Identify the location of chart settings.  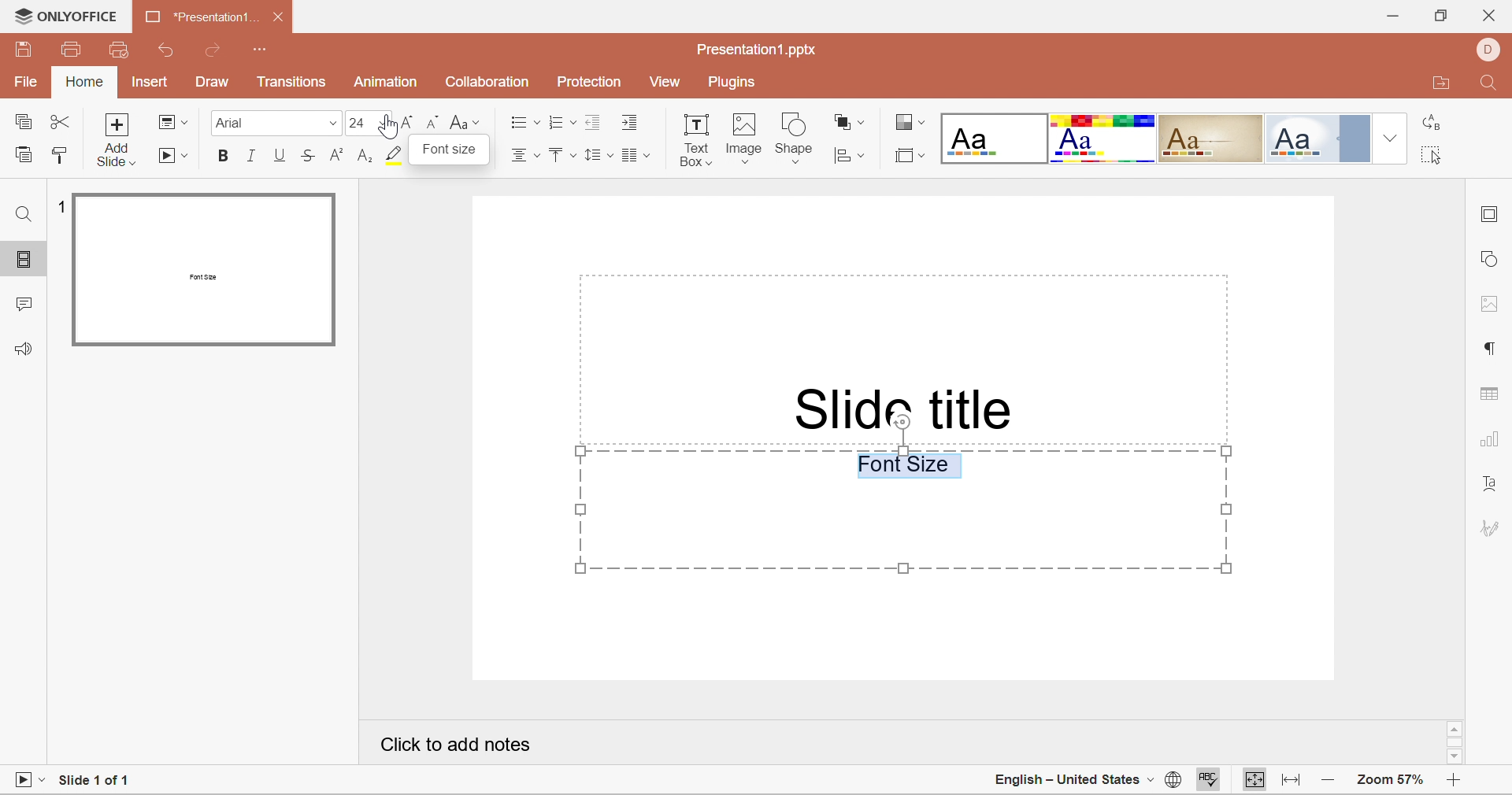
(1492, 443).